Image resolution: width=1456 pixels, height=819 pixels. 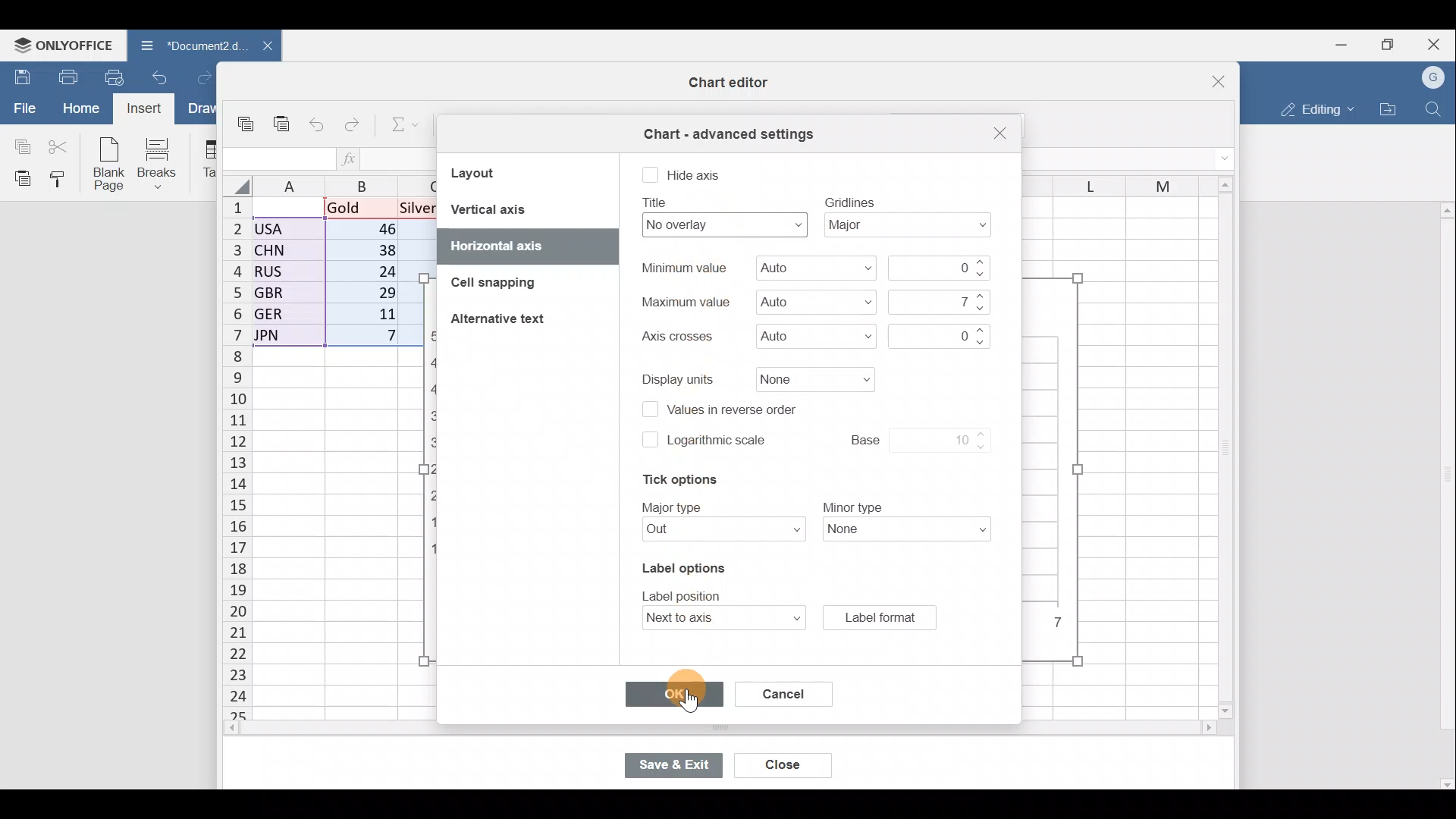 I want to click on Tick options, so click(x=673, y=480).